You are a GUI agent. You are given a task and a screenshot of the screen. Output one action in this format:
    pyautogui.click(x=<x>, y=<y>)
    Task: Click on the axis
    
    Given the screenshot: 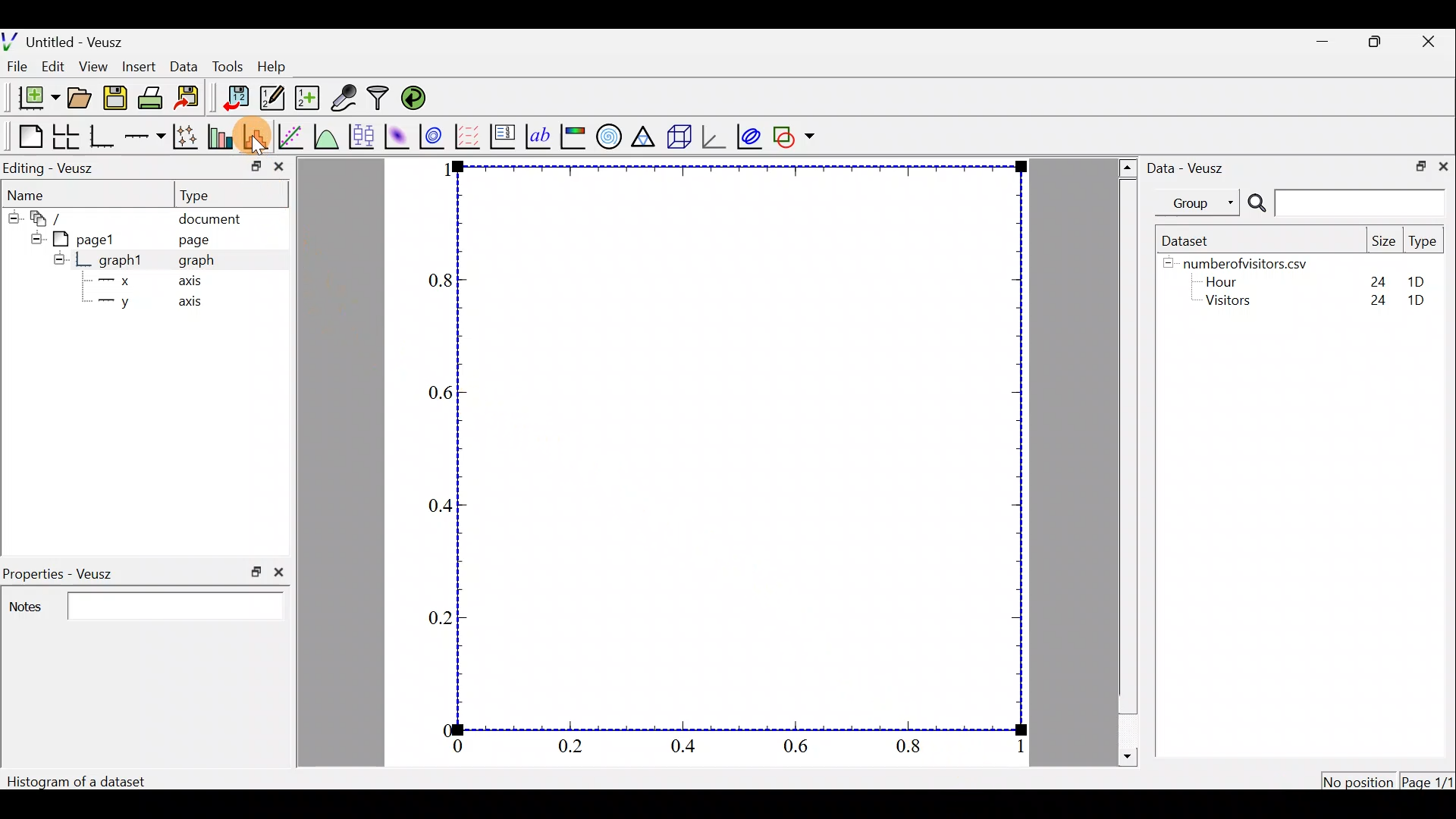 What is the action you would take?
    pyautogui.click(x=187, y=284)
    